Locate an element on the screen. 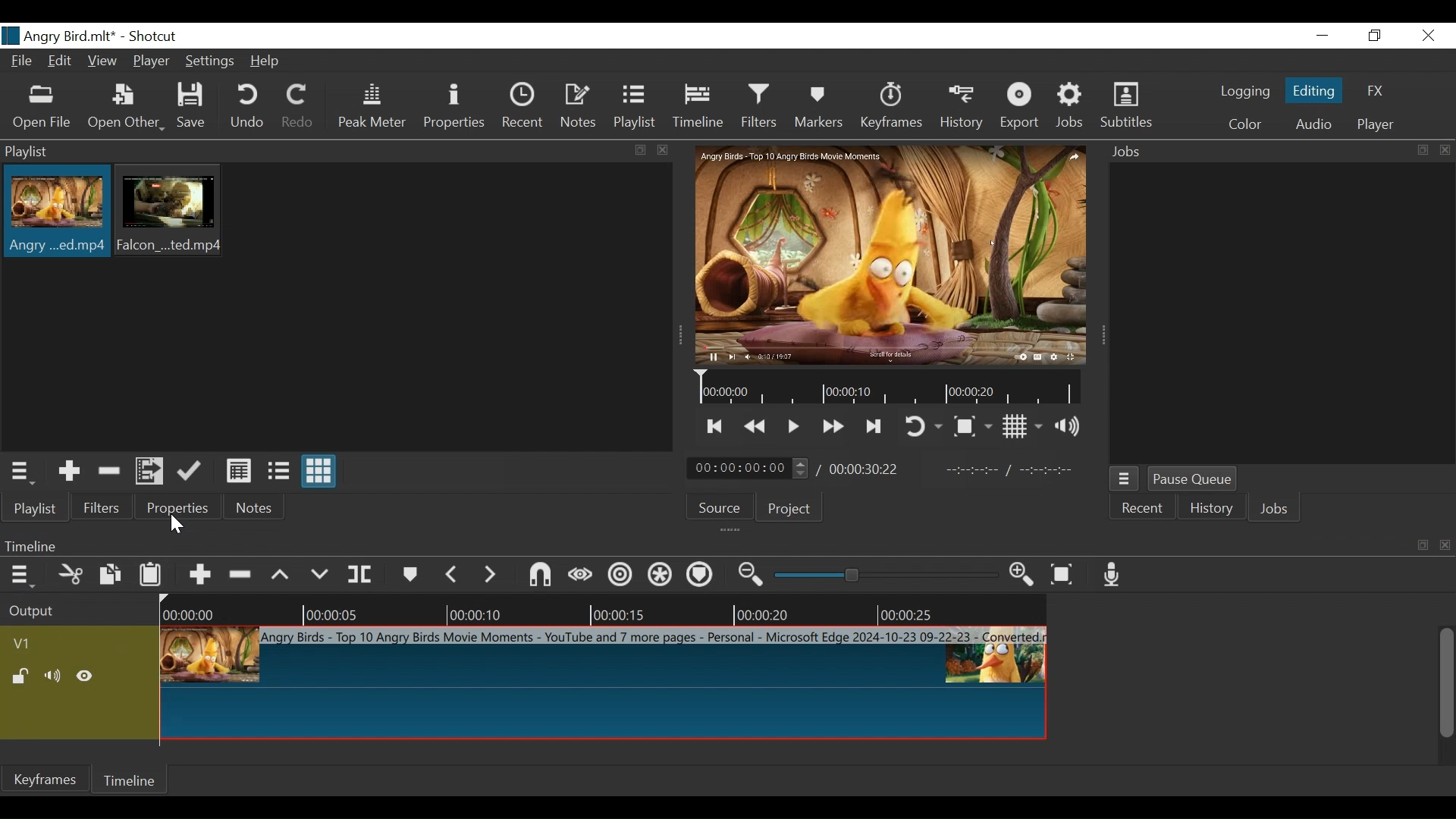  Playlist Panel is located at coordinates (338, 152).